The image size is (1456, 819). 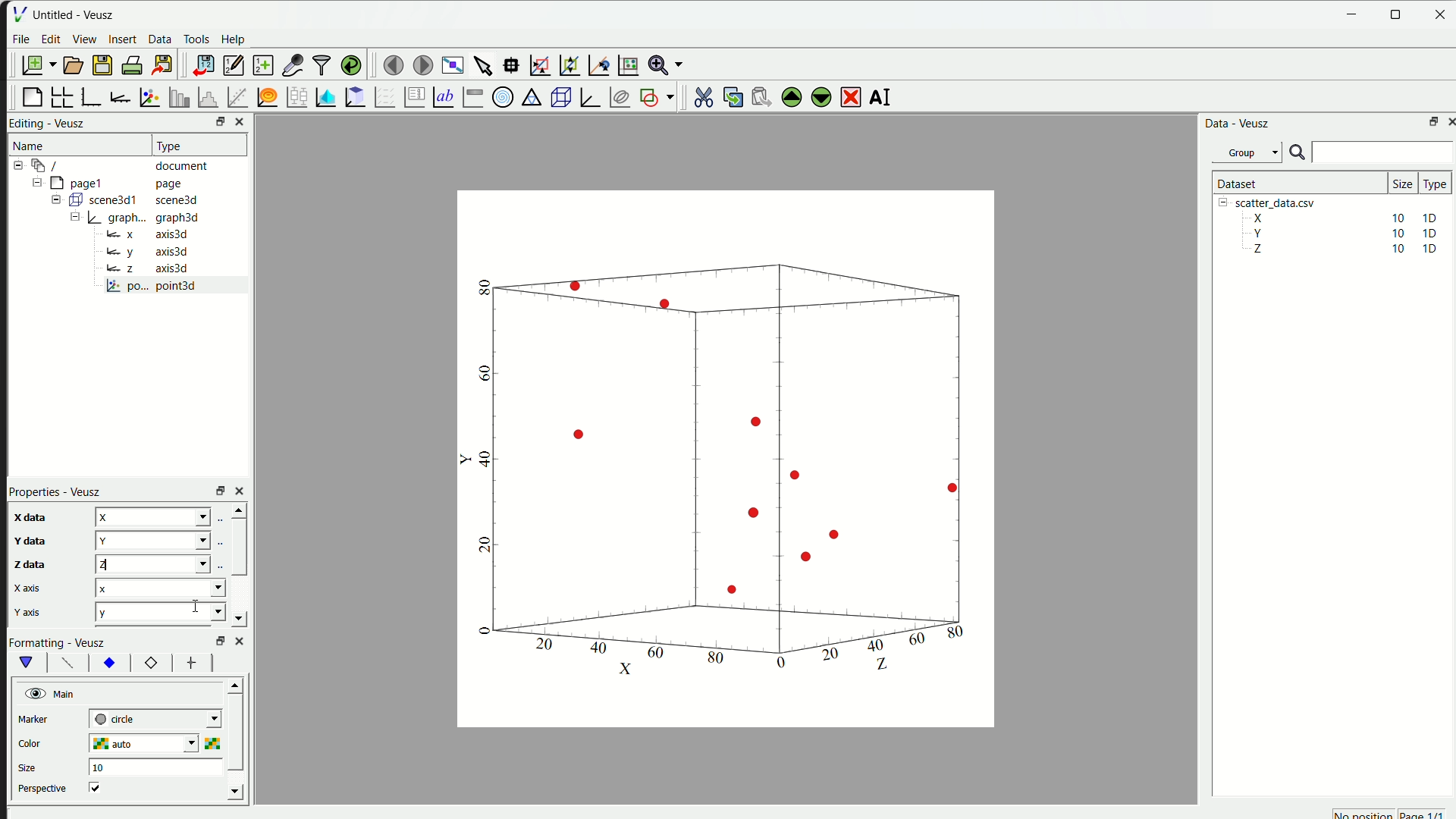 What do you see at coordinates (242, 620) in the screenshot?
I see `down` at bounding box center [242, 620].